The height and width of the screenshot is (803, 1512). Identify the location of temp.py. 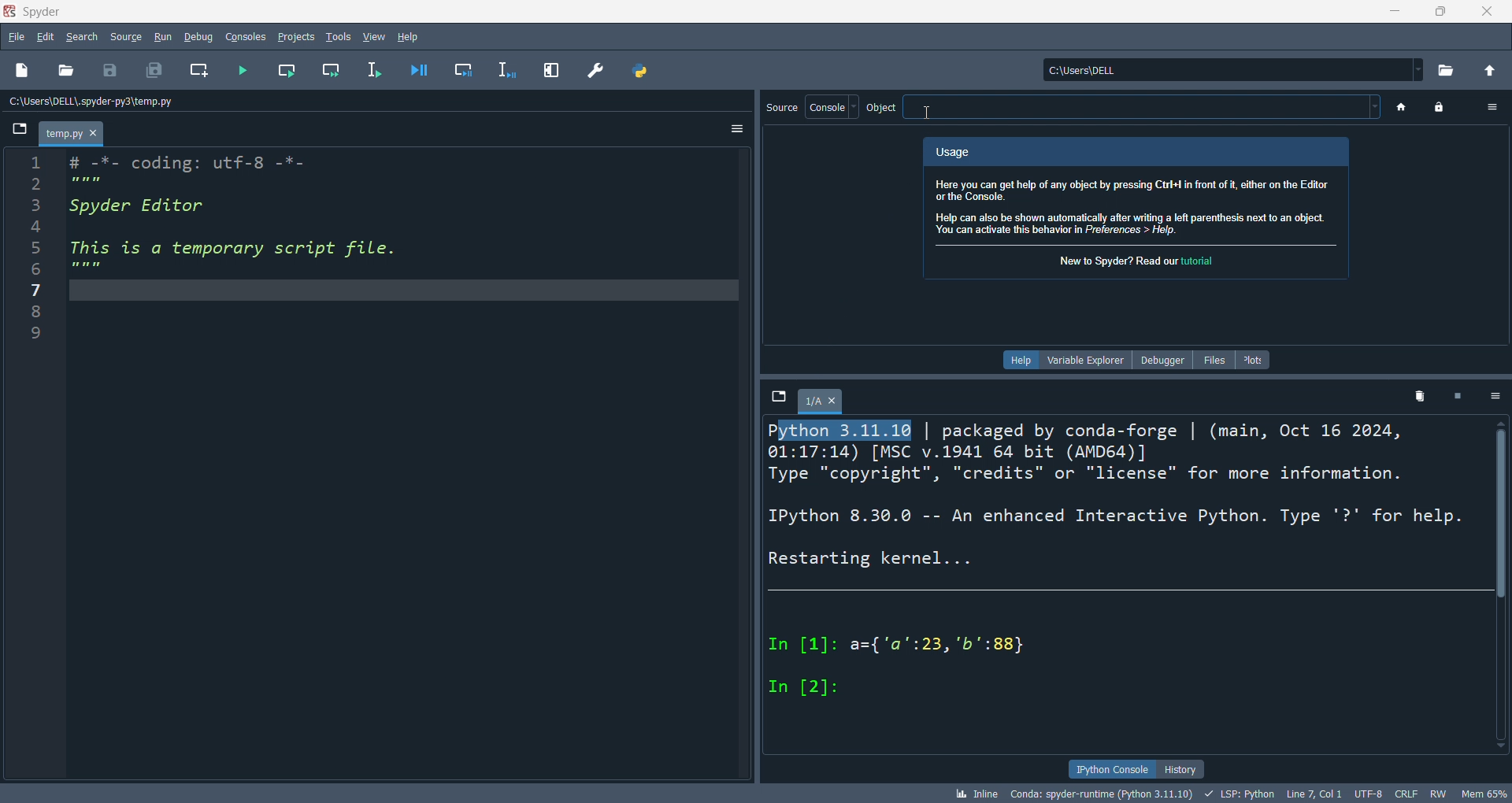
(71, 130).